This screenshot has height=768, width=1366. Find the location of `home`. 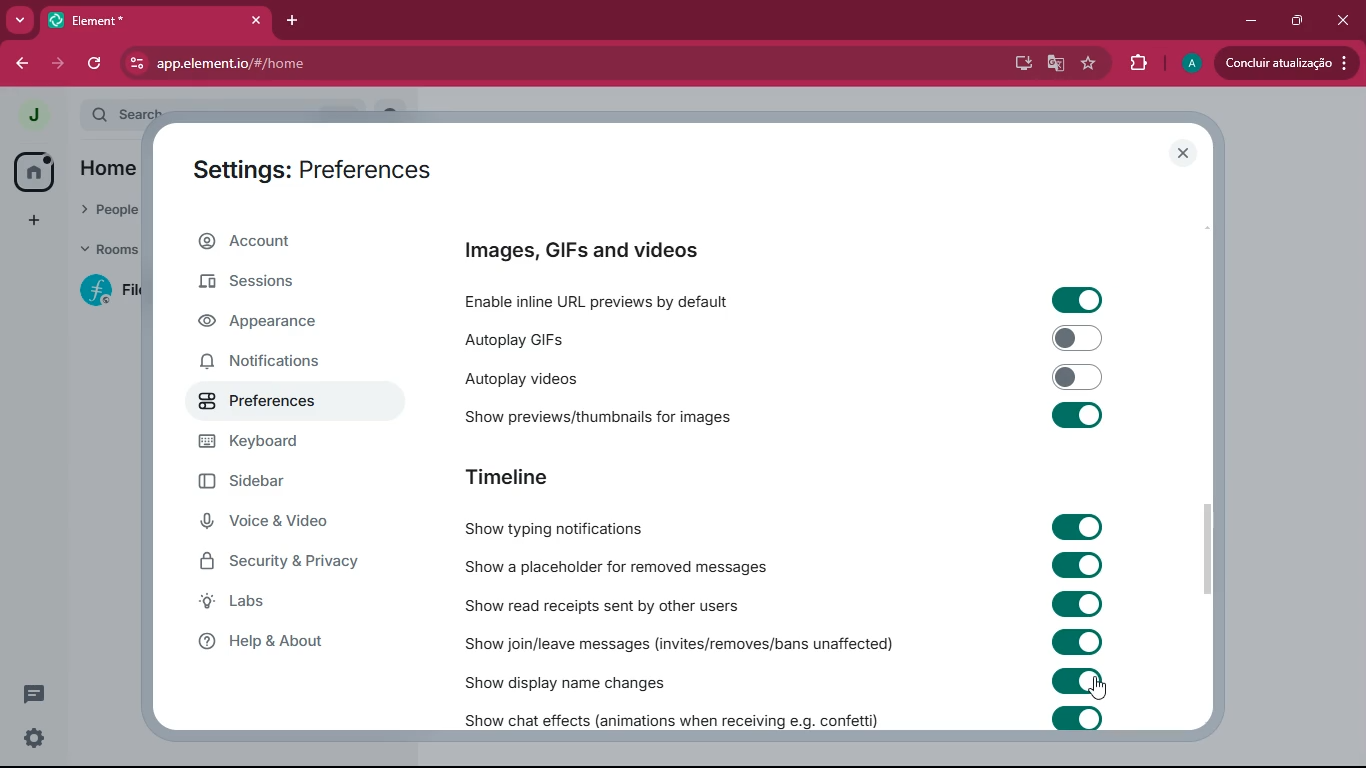

home is located at coordinates (34, 172).